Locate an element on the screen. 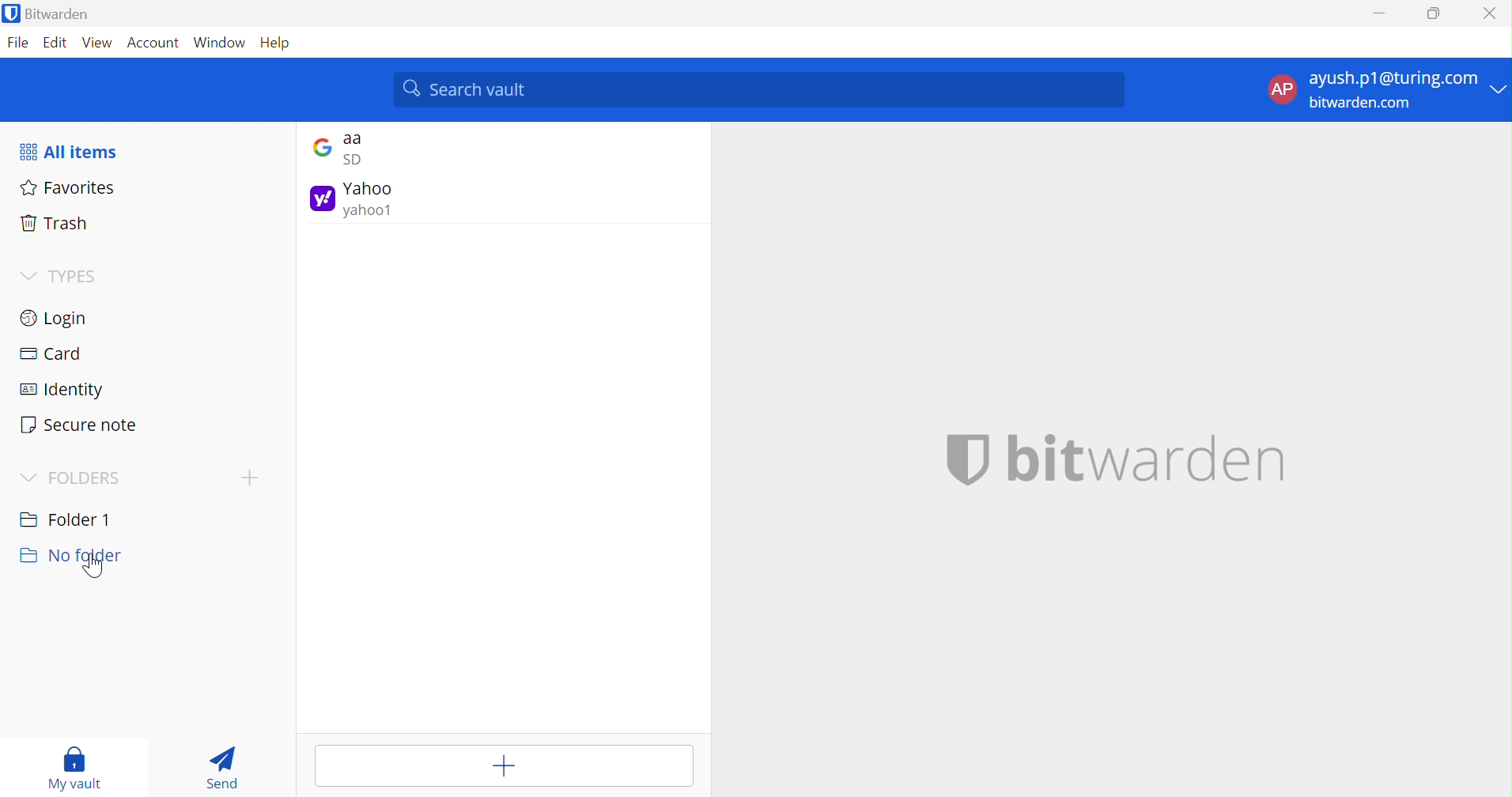  Identity is located at coordinates (62, 391).